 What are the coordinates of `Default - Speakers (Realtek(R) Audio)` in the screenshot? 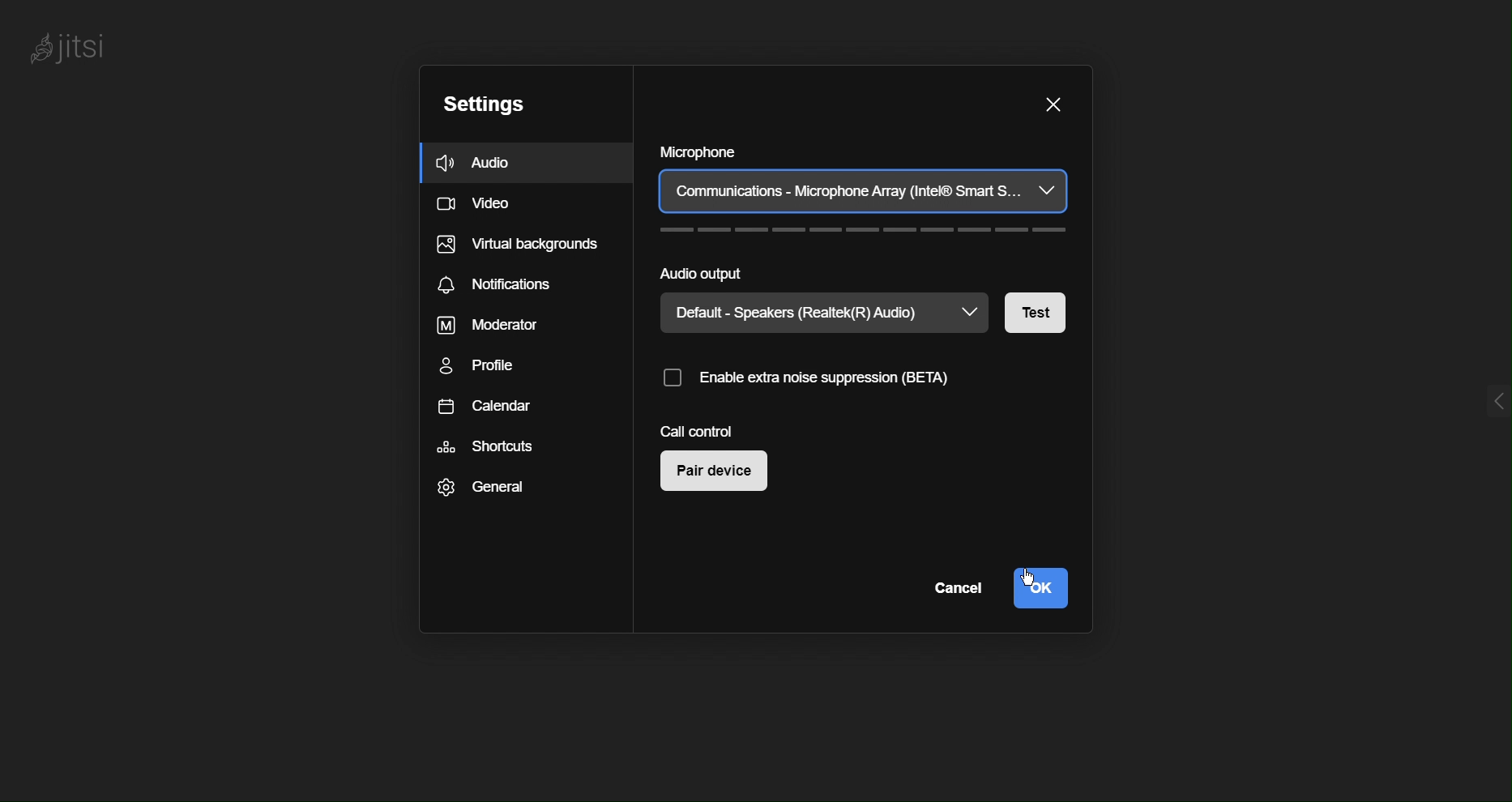 It's located at (794, 313).